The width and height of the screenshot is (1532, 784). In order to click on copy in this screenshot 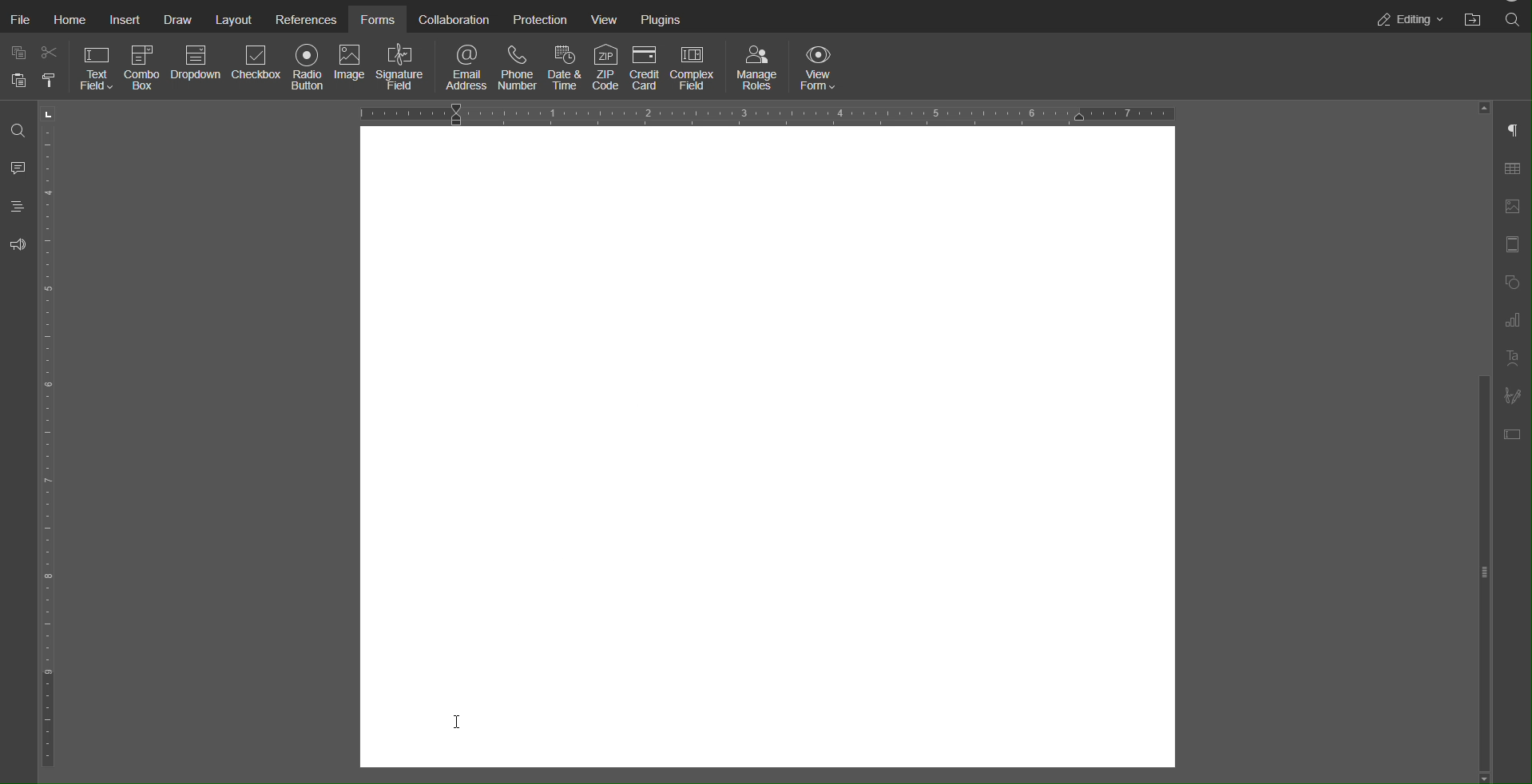, I will do `click(18, 52)`.